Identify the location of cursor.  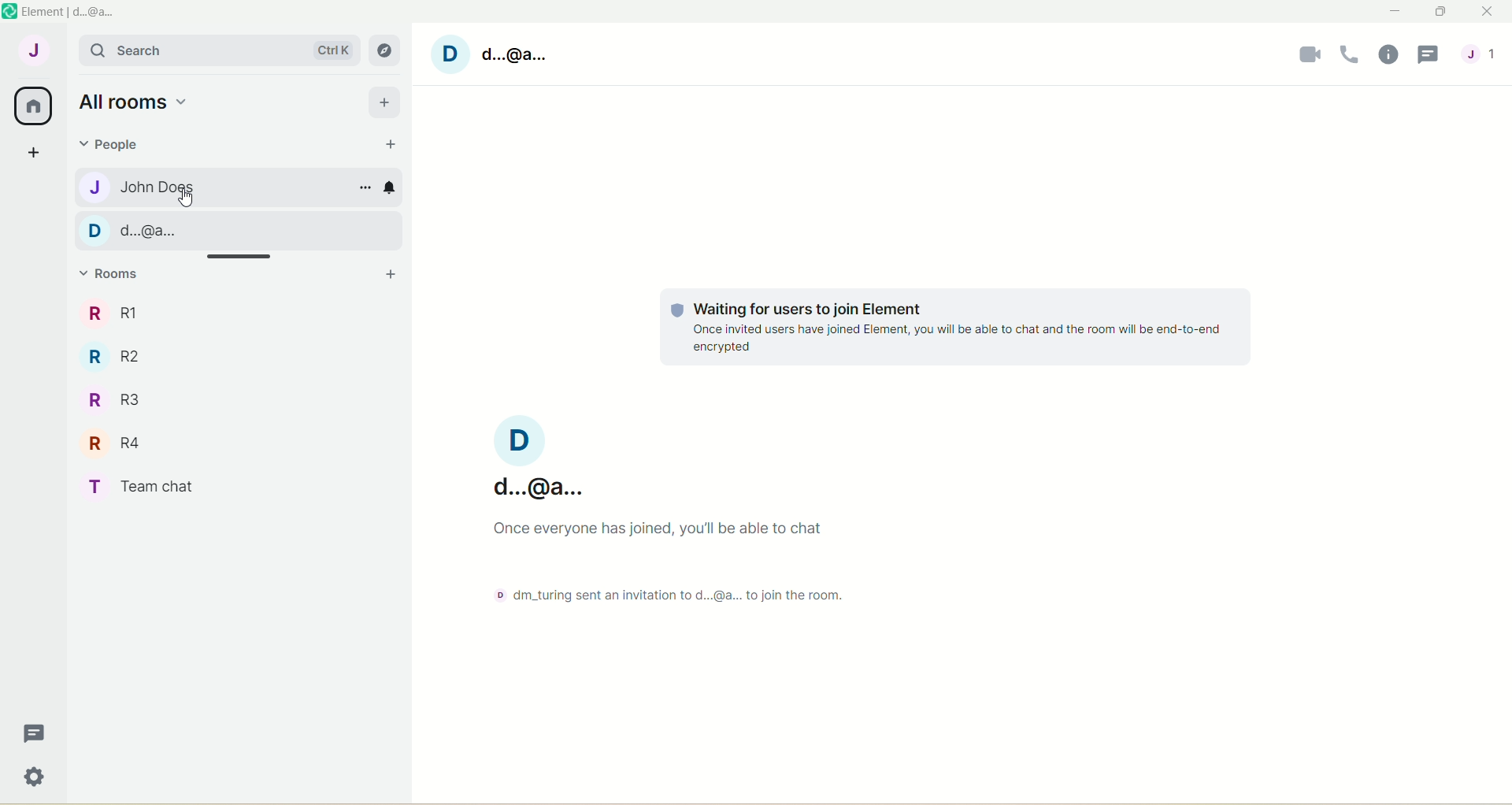
(185, 200).